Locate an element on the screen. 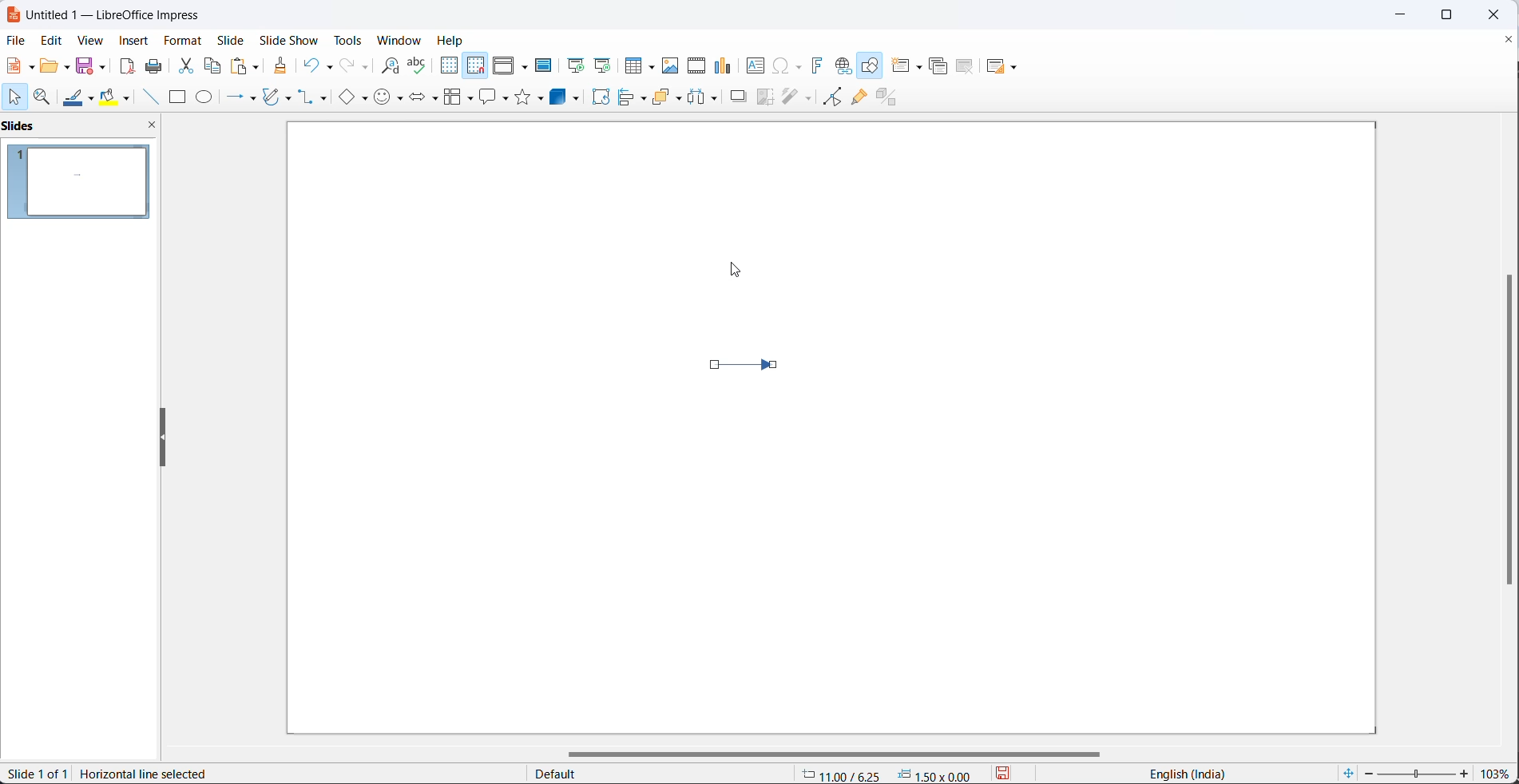  clone formatting is located at coordinates (280, 65).